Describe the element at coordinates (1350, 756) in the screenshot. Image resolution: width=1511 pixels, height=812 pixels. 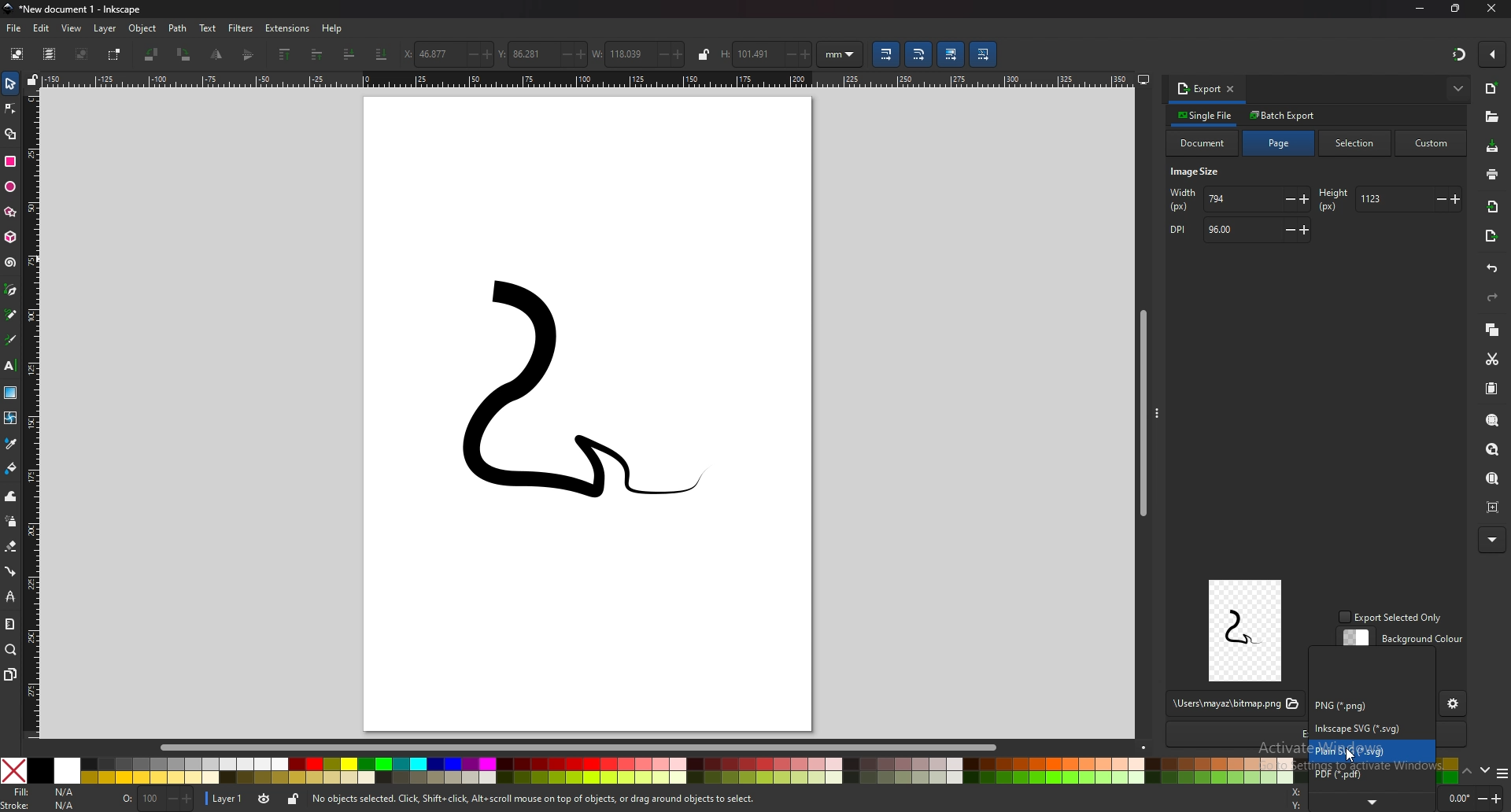
I see `cursor` at that location.